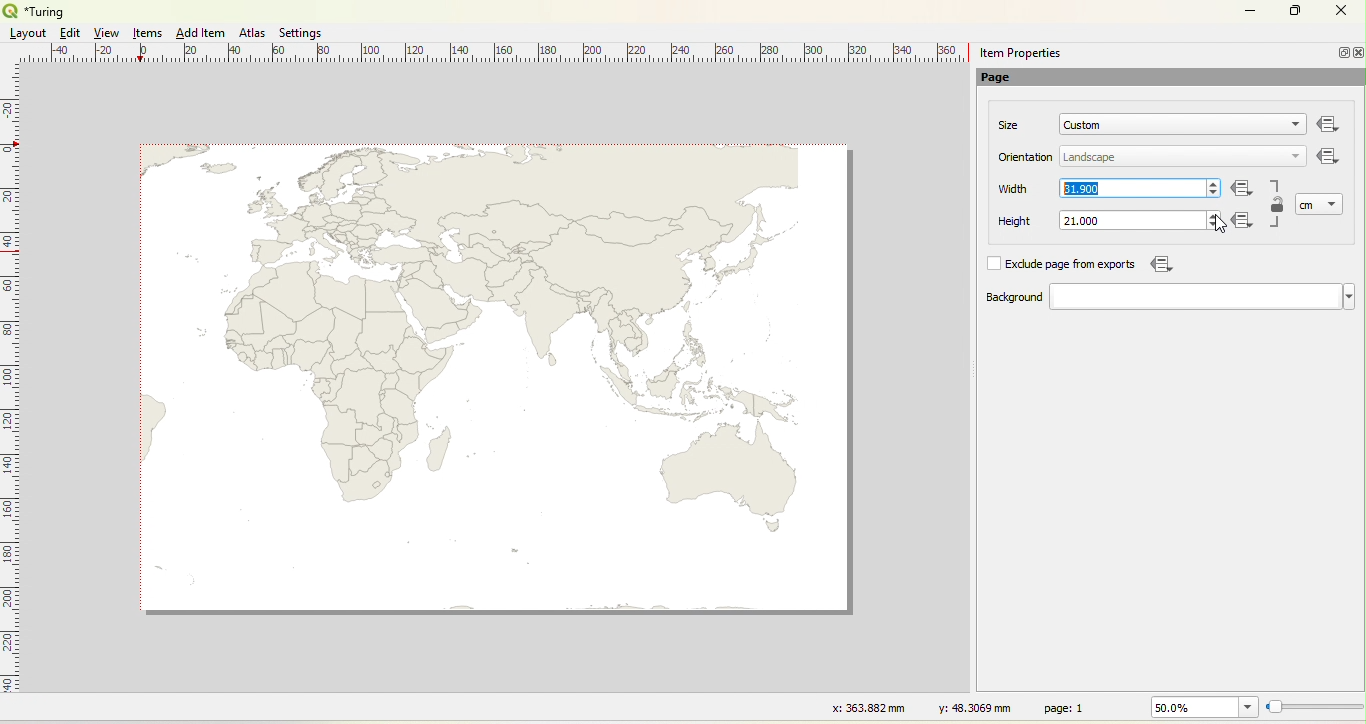  What do you see at coordinates (1080, 188) in the screenshot?
I see `31.900` at bounding box center [1080, 188].